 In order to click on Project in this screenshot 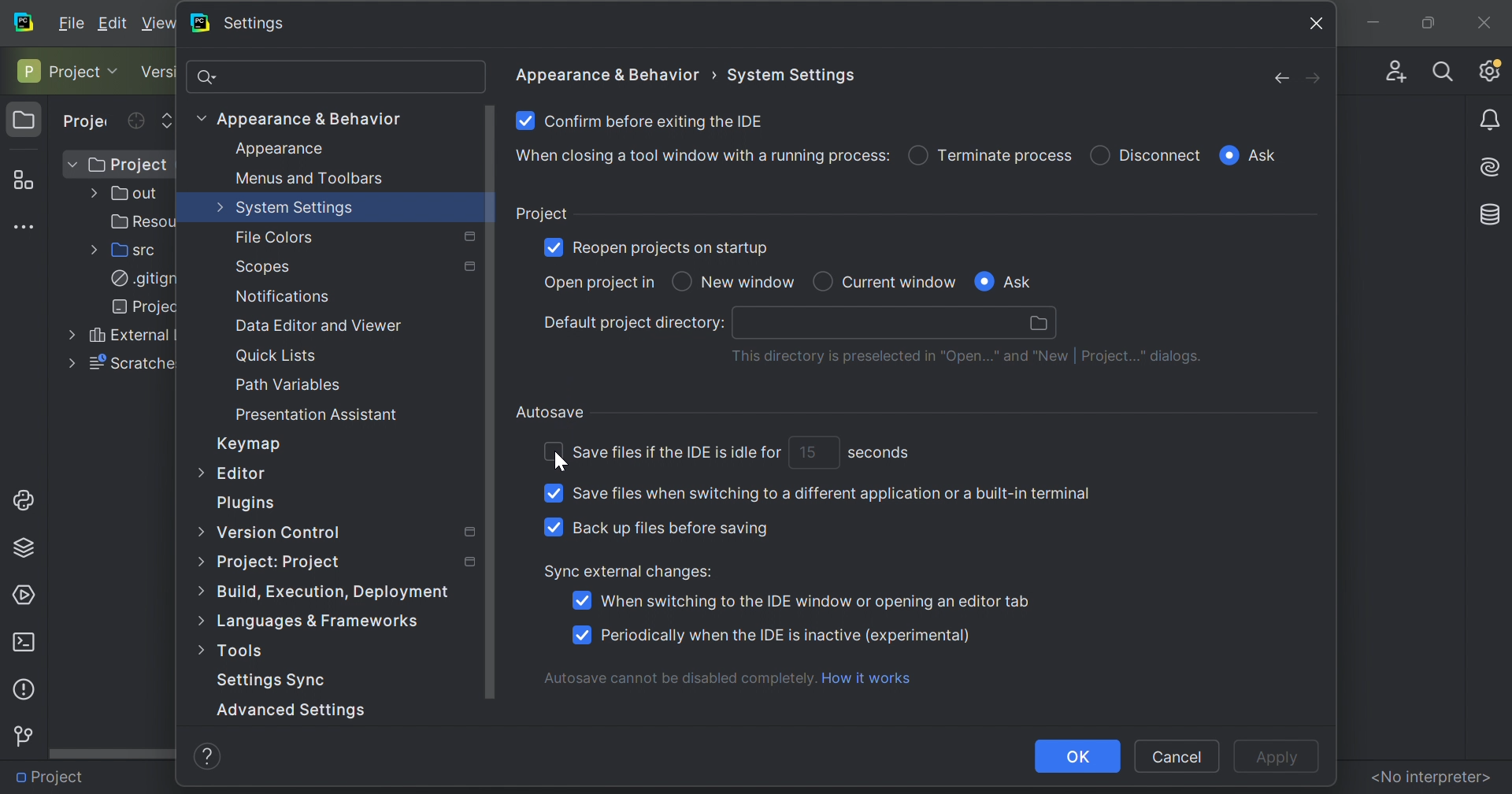, I will do `click(87, 122)`.